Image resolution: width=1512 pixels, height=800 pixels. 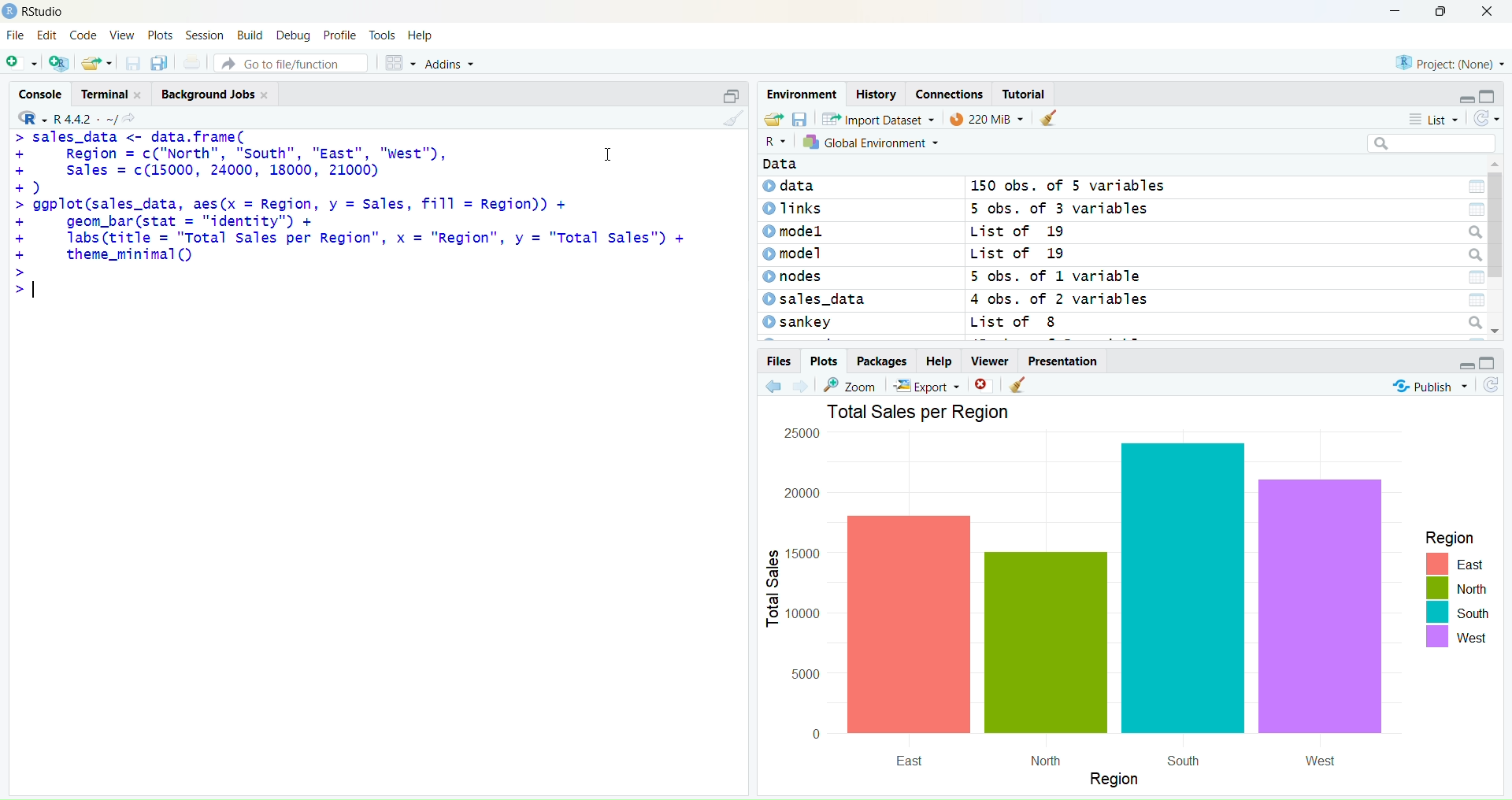 What do you see at coordinates (202, 35) in the screenshot?
I see `Session` at bounding box center [202, 35].